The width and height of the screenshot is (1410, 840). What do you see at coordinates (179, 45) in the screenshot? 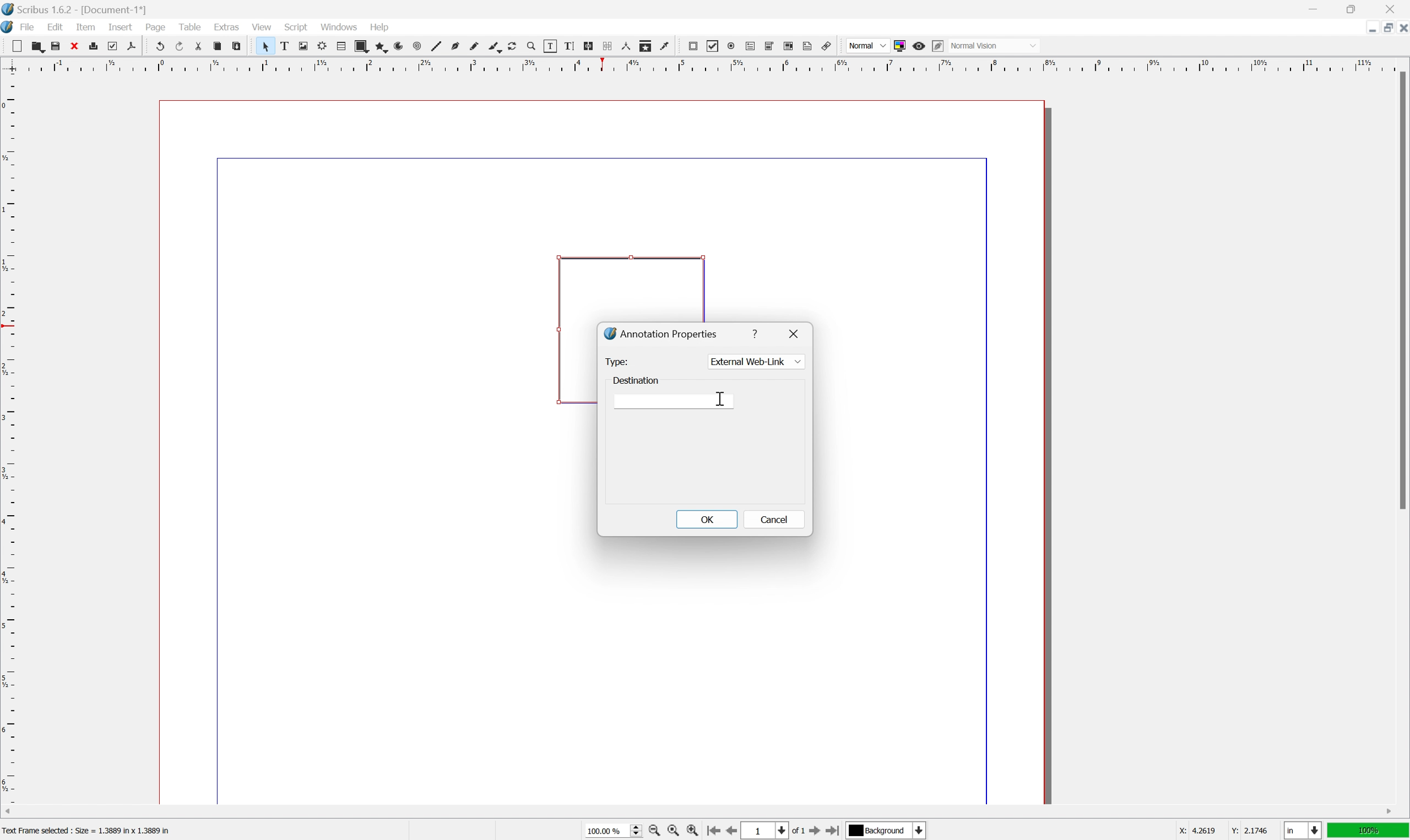
I see `redo` at bounding box center [179, 45].